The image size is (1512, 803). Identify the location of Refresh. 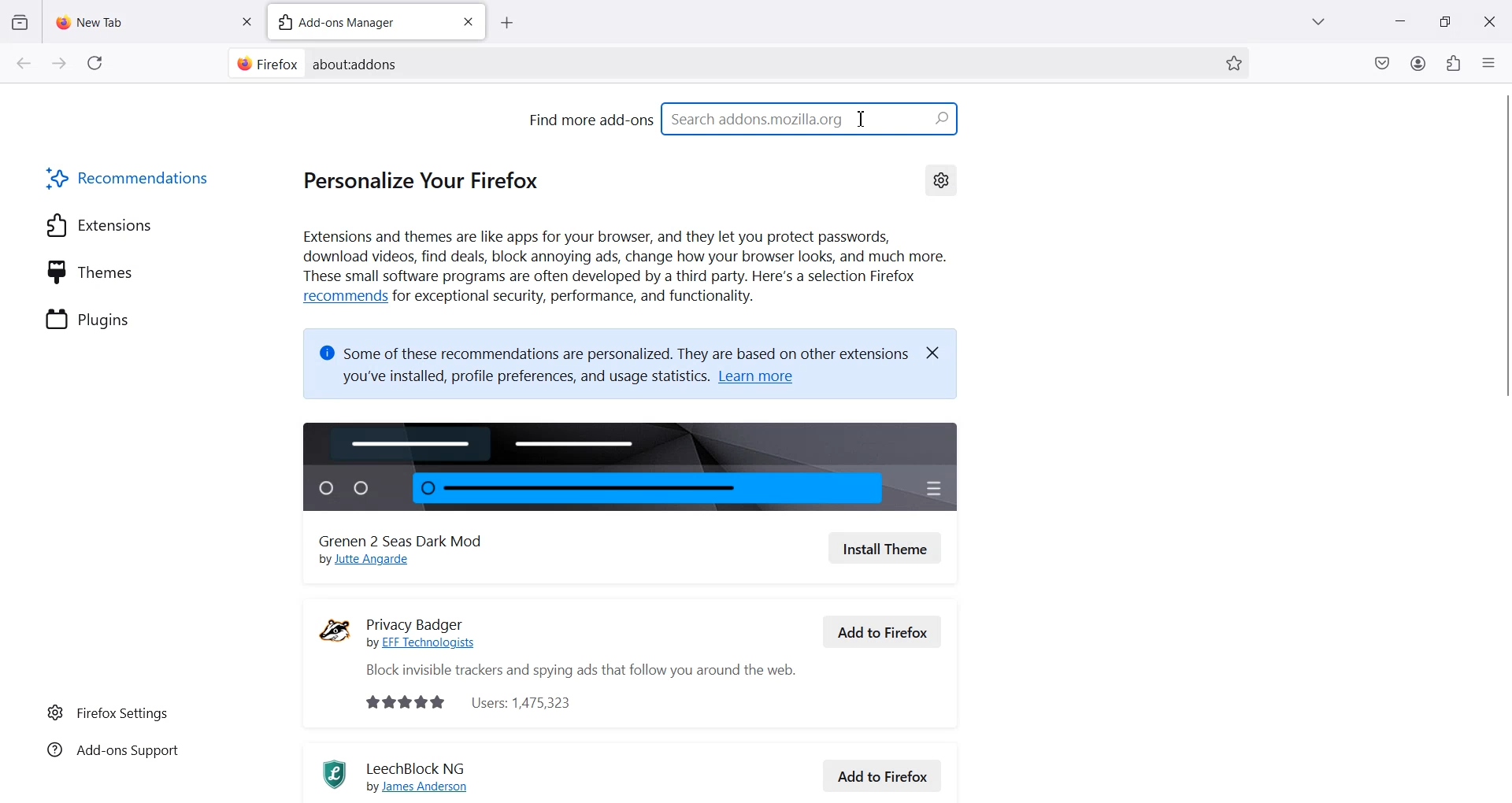
(95, 63).